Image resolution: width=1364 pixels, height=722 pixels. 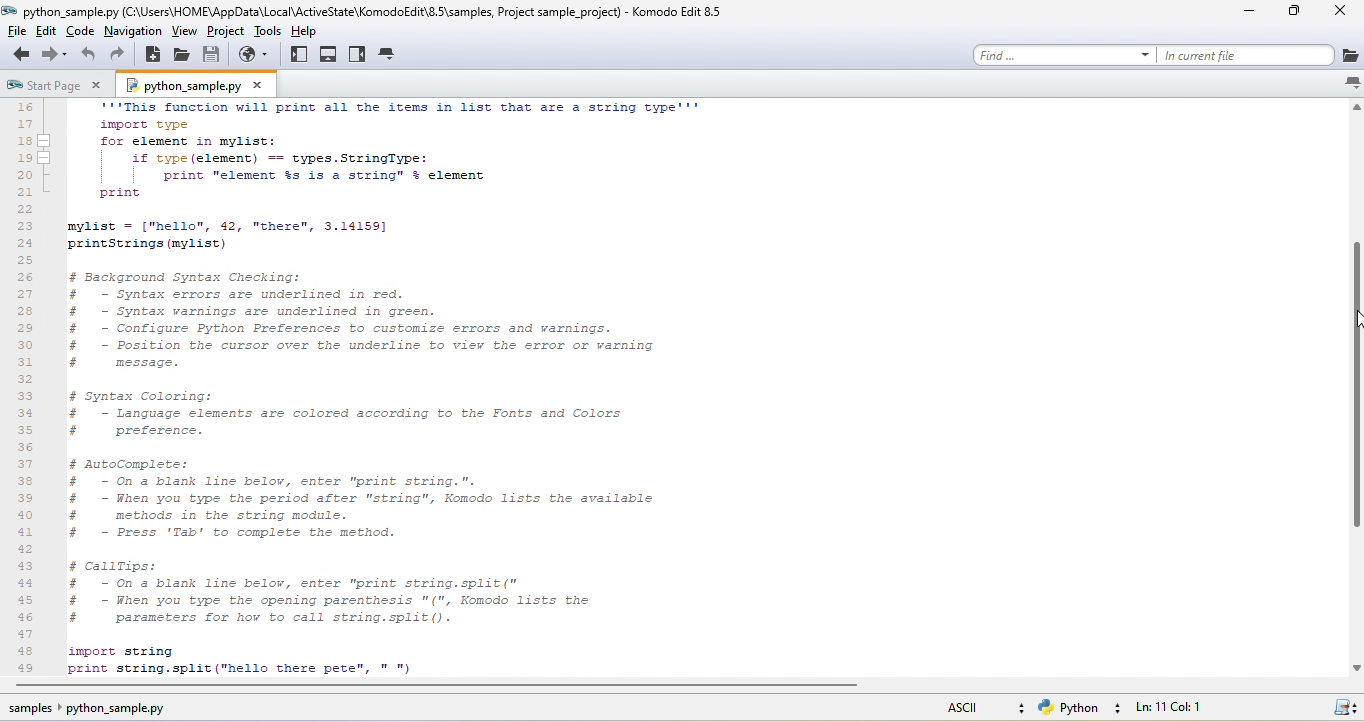 I want to click on new, so click(x=153, y=55).